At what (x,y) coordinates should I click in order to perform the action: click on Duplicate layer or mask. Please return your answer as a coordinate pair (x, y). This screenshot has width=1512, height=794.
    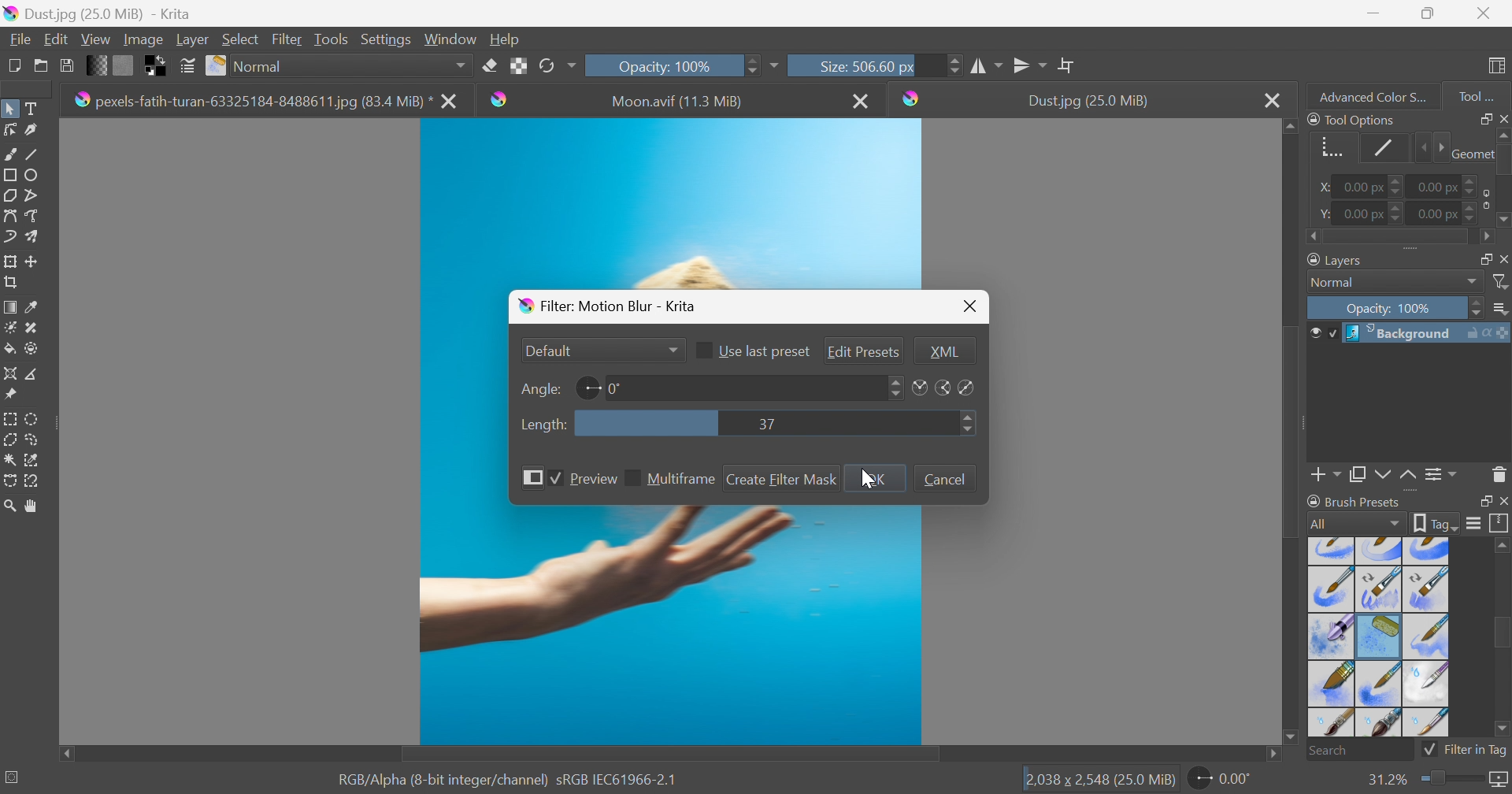
    Looking at the image, I should click on (1380, 477).